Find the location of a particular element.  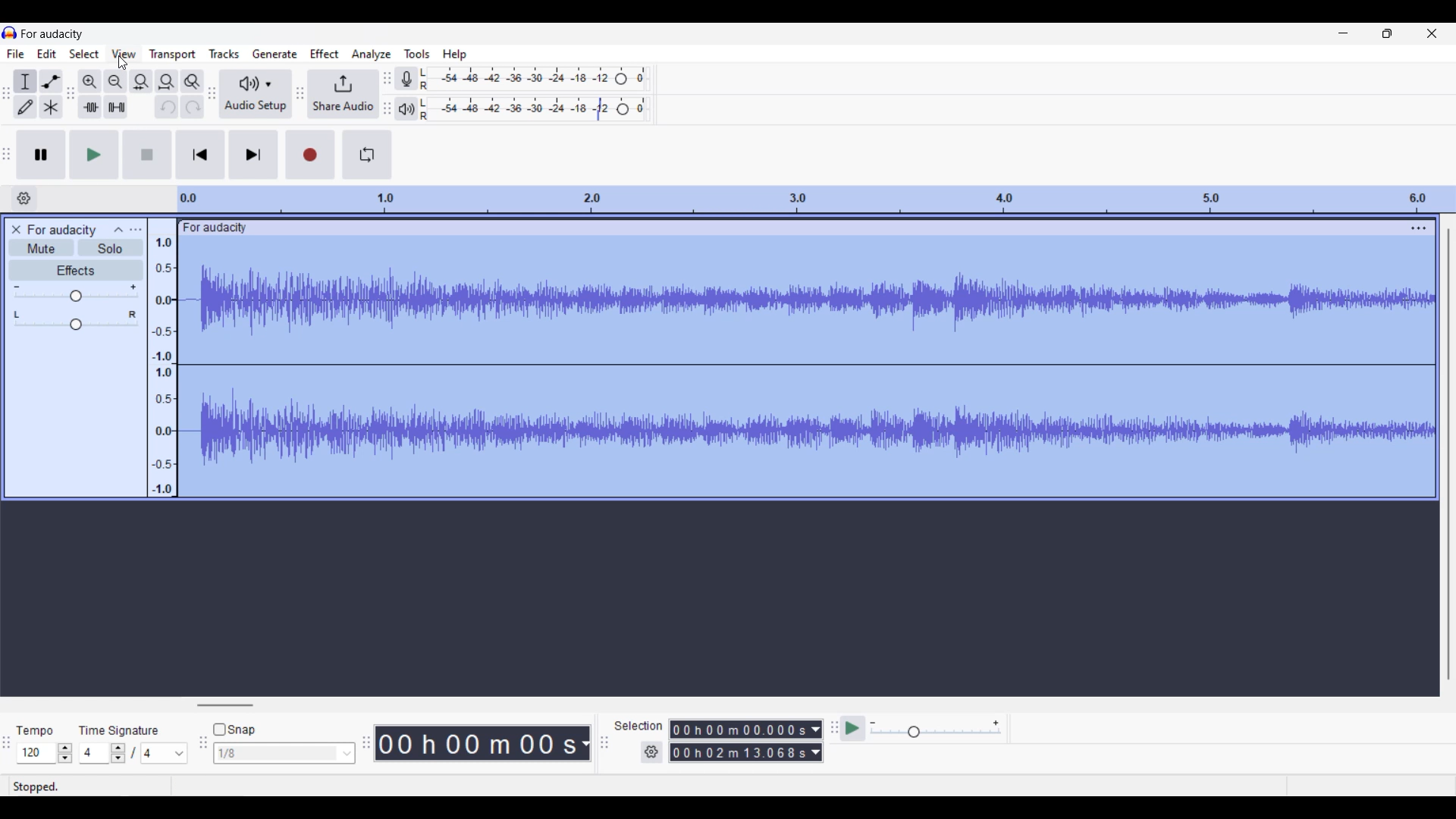

Tempo settings is located at coordinates (45, 753).